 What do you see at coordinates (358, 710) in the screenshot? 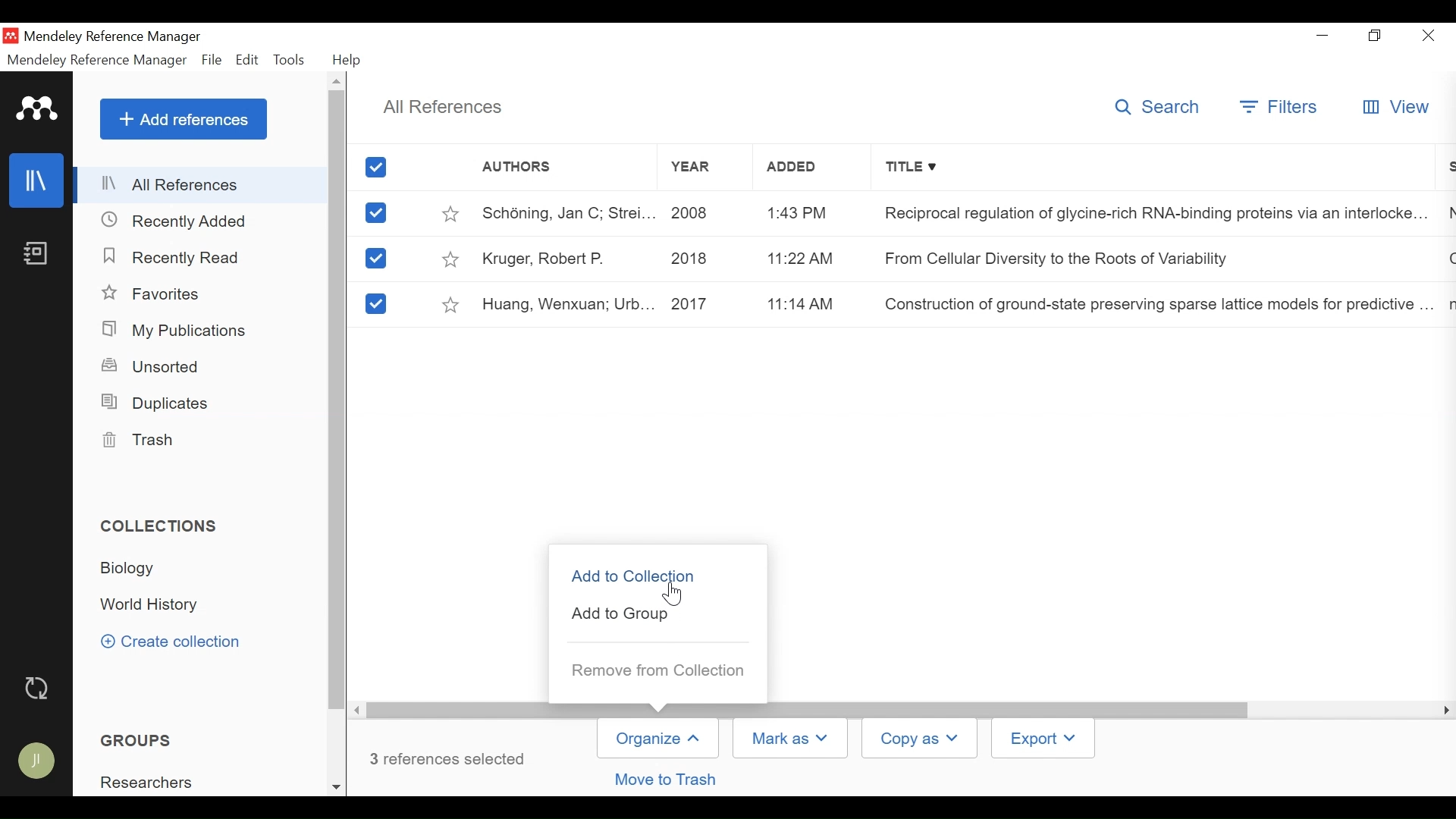
I see `Scroll Right` at bounding box center [358, 710].